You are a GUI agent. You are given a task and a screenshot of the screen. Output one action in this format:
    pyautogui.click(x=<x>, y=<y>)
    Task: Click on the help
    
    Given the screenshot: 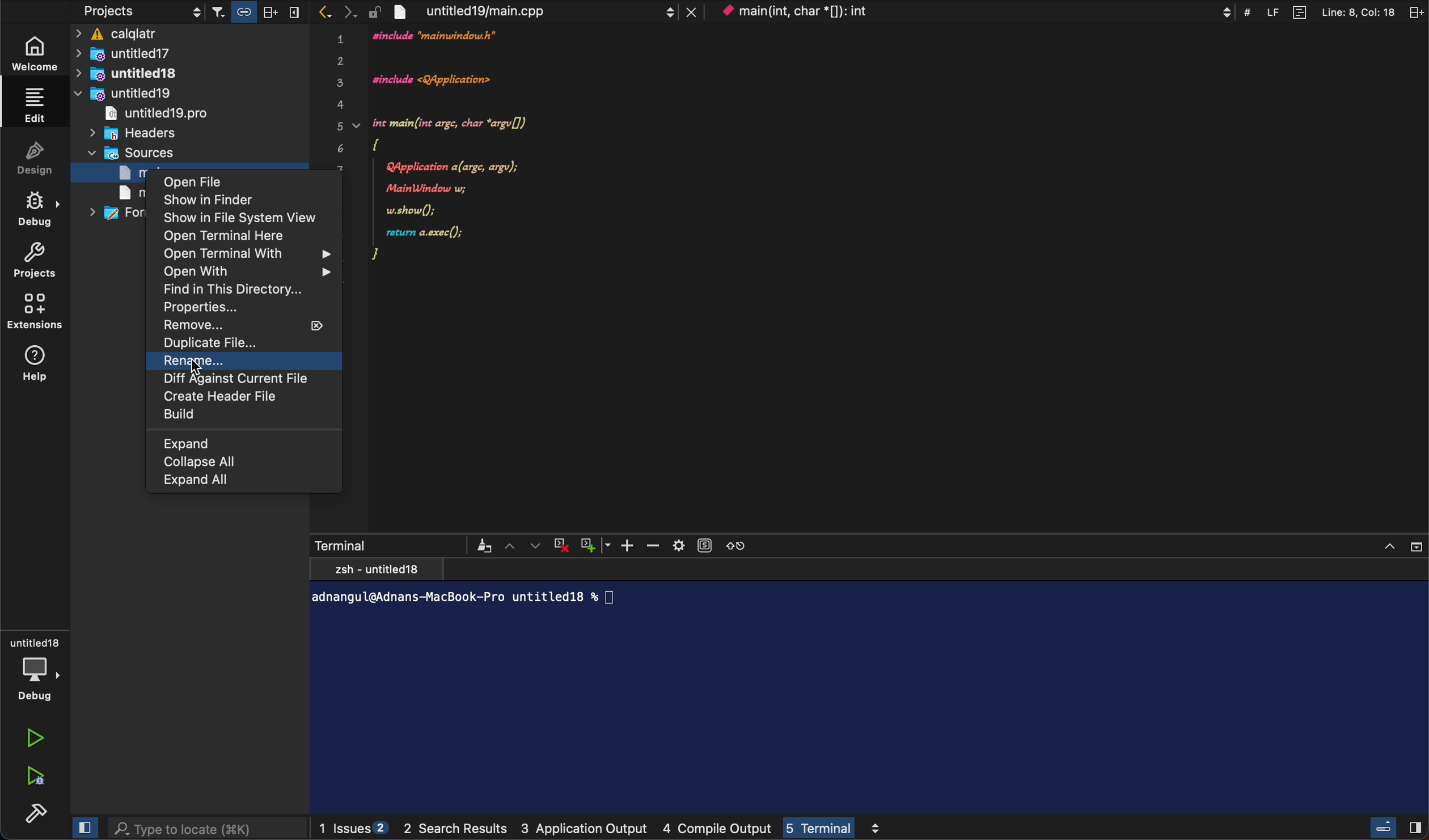 What is the action you would take?
    pyautogui.click(x=41, y=366)
    